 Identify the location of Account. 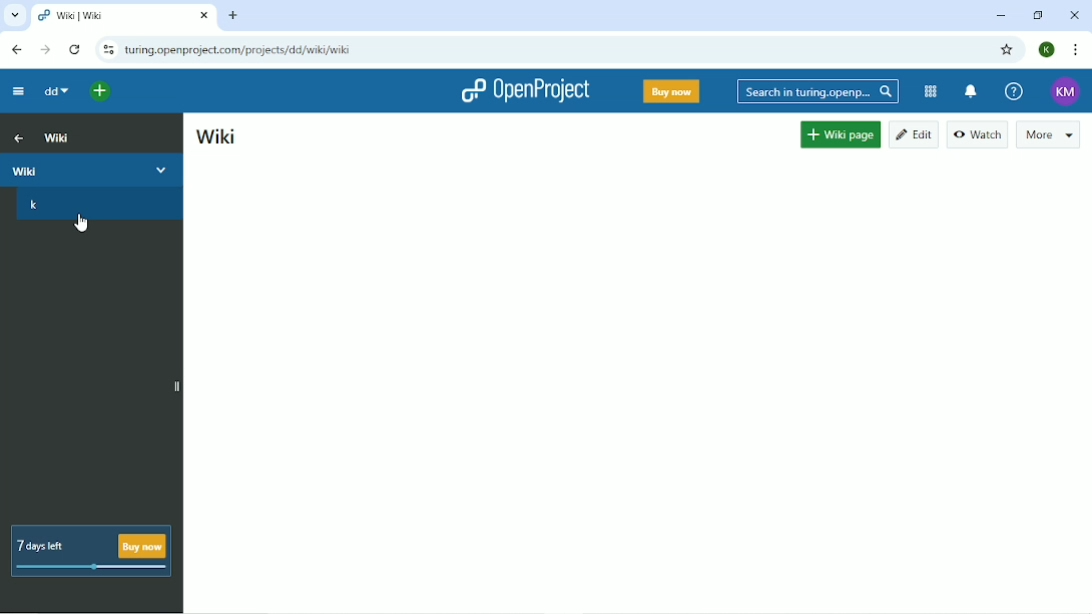
(1047, 49).